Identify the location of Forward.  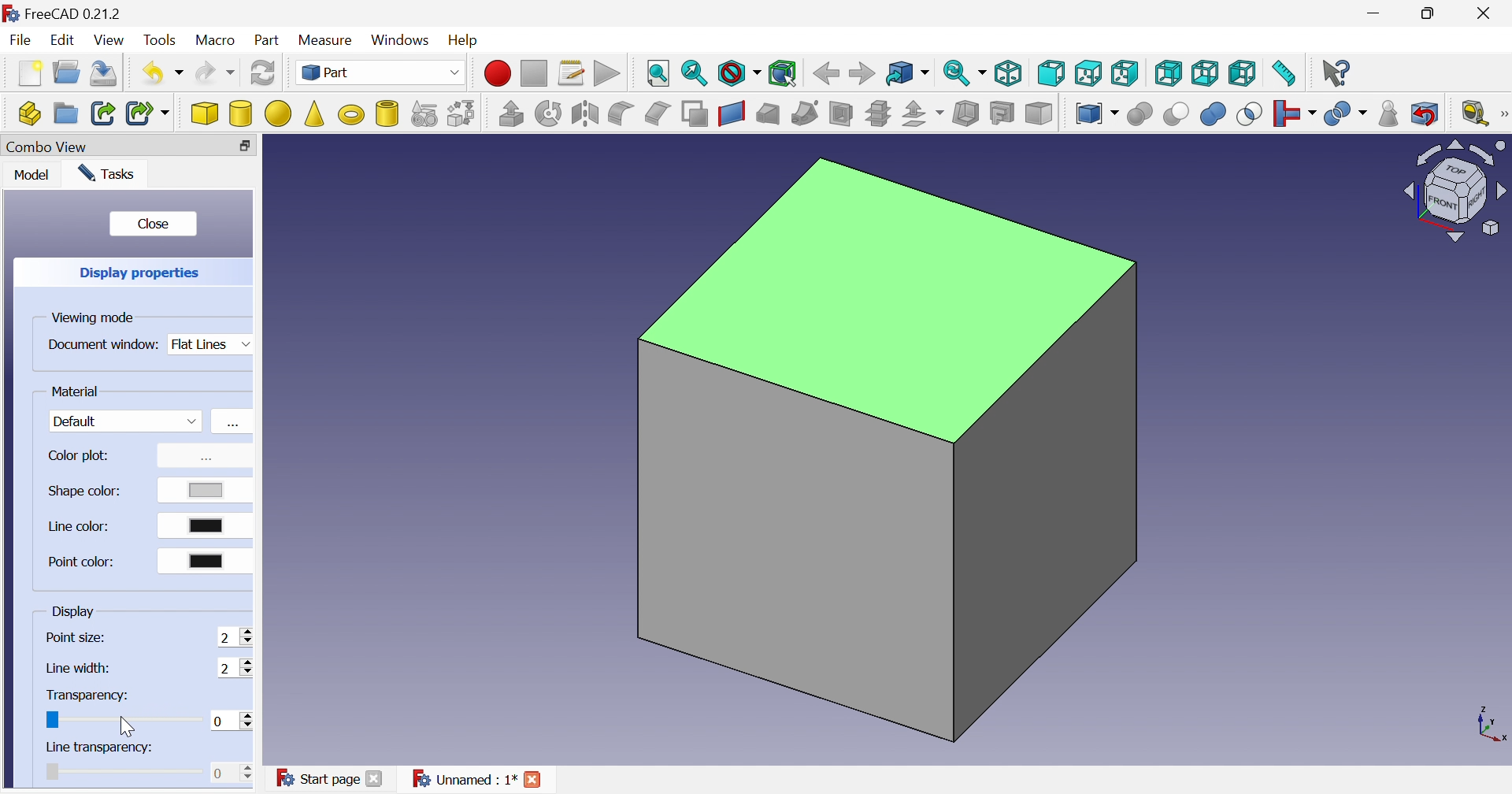
(863, 72).